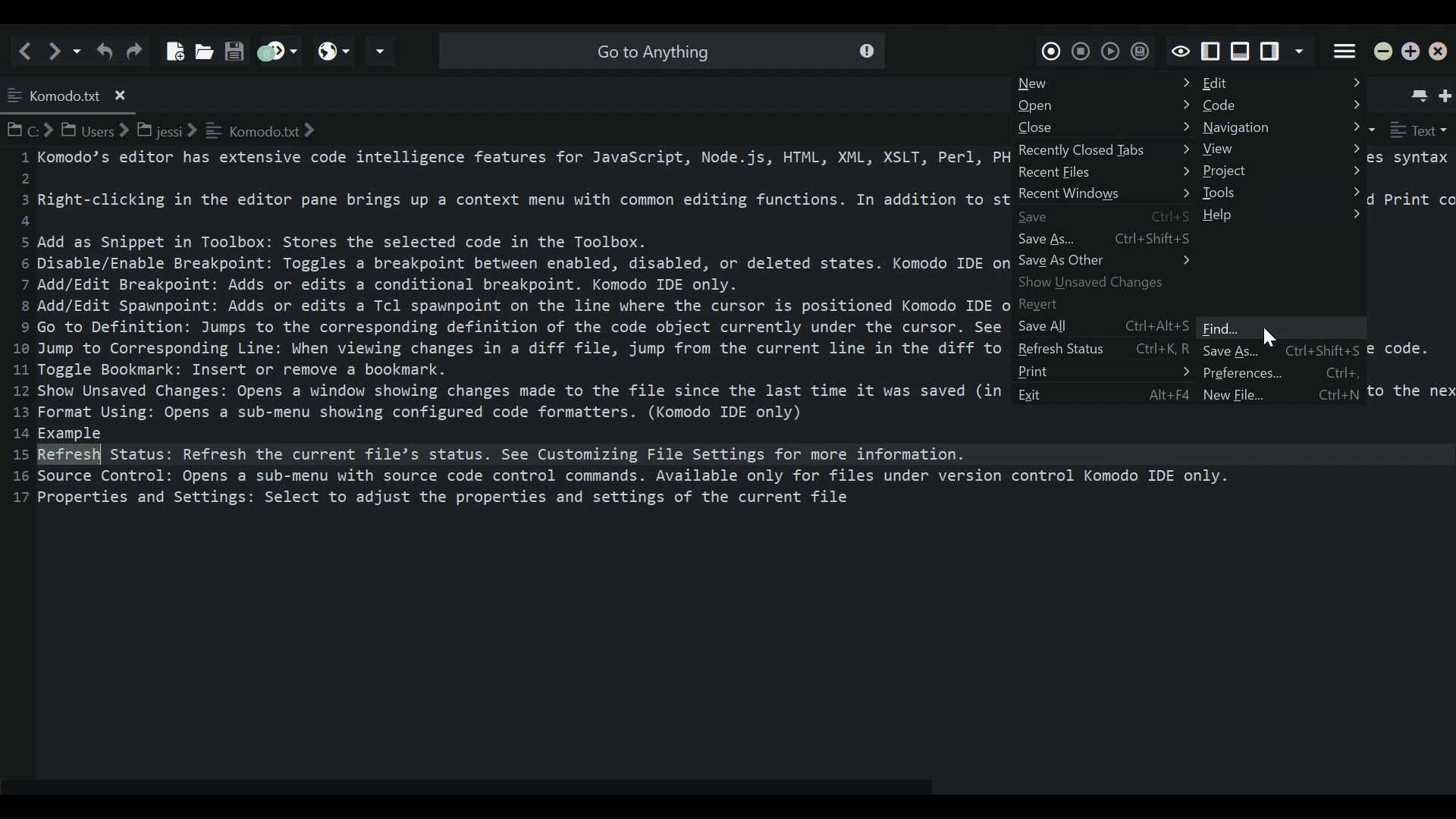  What do you see at coordinates (1282, 83) in the screenshot?
I see `Edit` at bounding box center [1282, 83].